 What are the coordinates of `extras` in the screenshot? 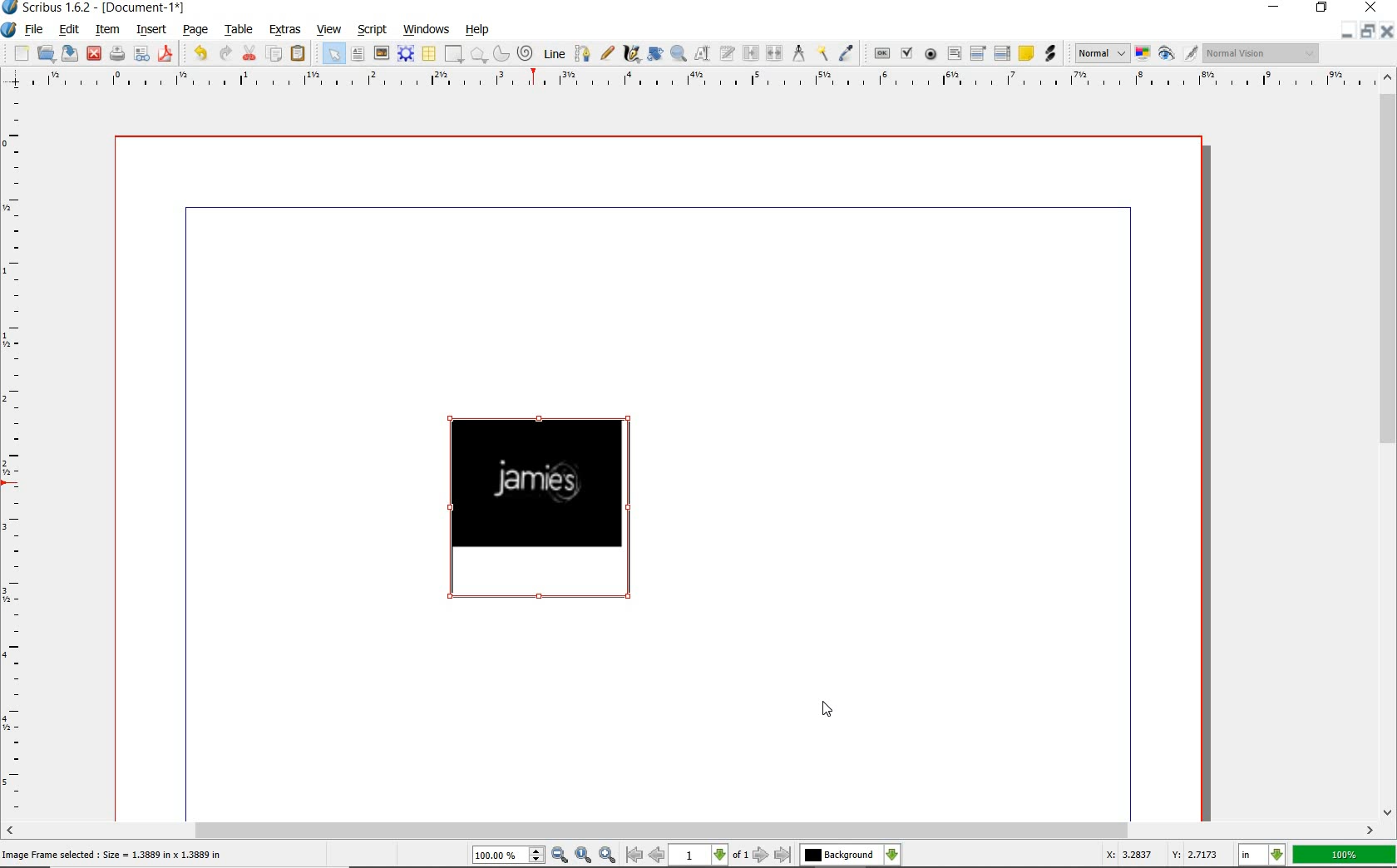 It's located at (285, 28).